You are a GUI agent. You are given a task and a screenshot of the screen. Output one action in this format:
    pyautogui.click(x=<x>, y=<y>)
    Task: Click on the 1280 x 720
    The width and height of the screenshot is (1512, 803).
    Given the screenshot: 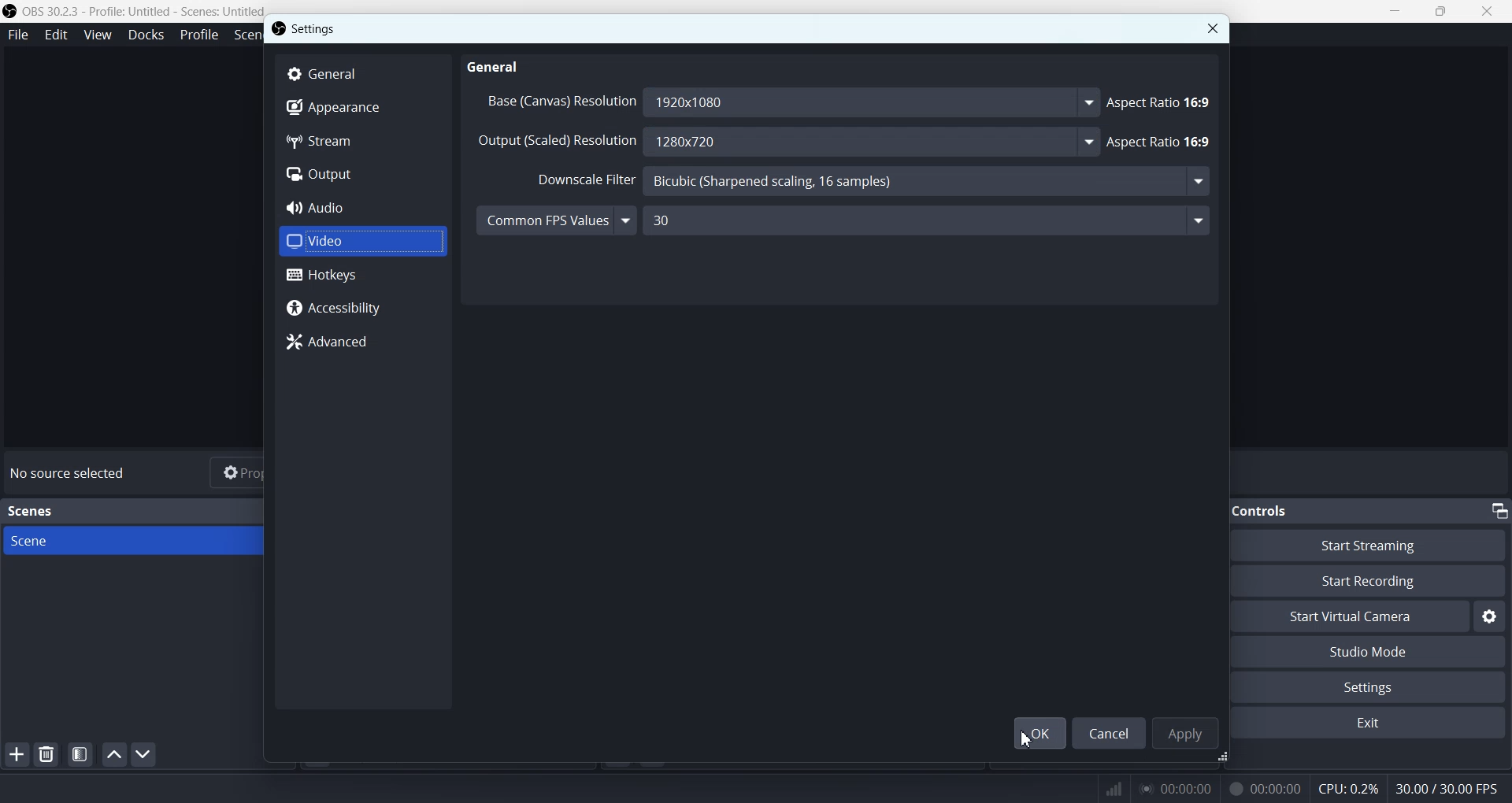 What is the action you would take?
    pyautogui.click(x=877, y=142)
    